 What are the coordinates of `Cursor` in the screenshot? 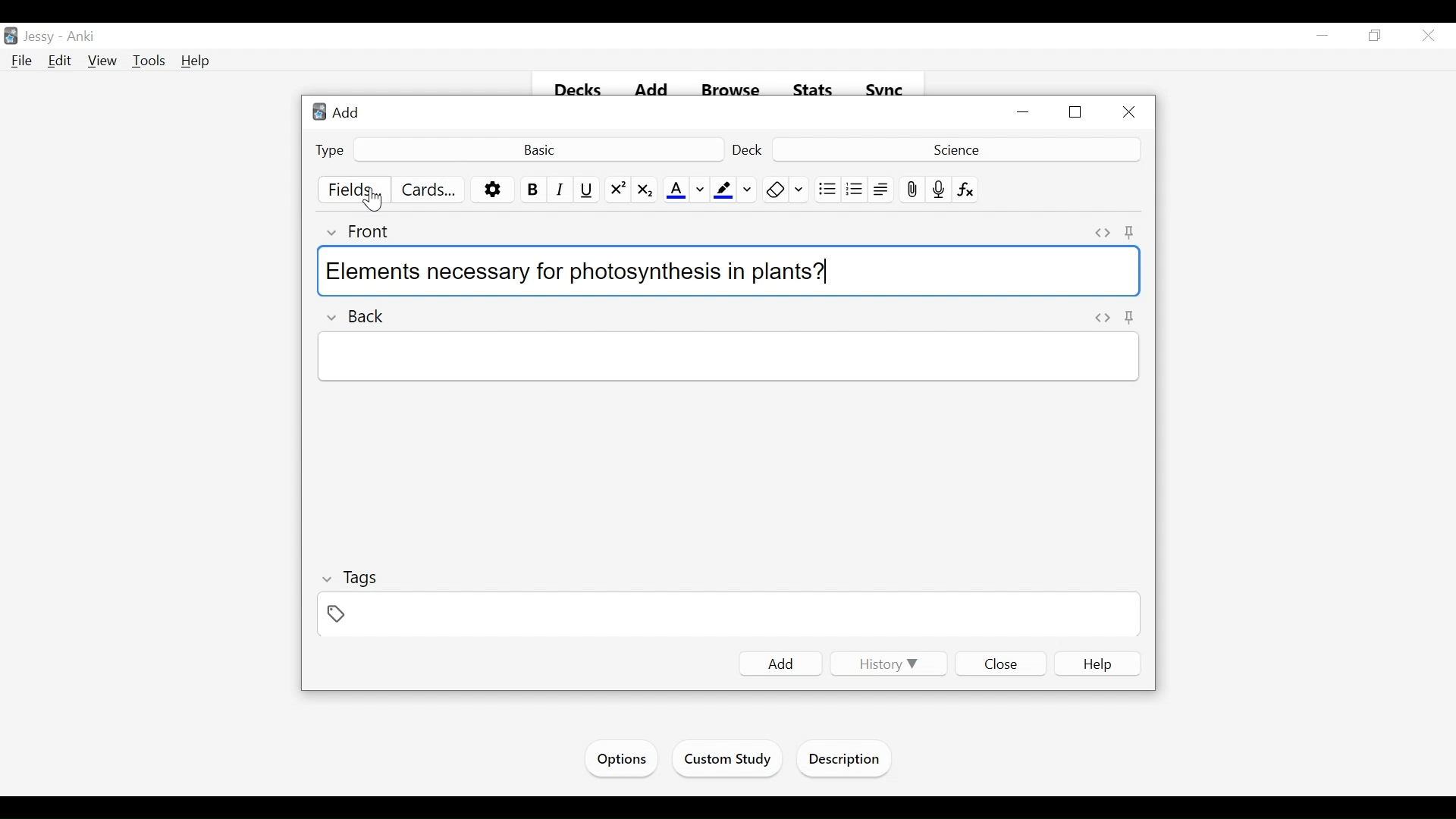 It's located at (374, 201).